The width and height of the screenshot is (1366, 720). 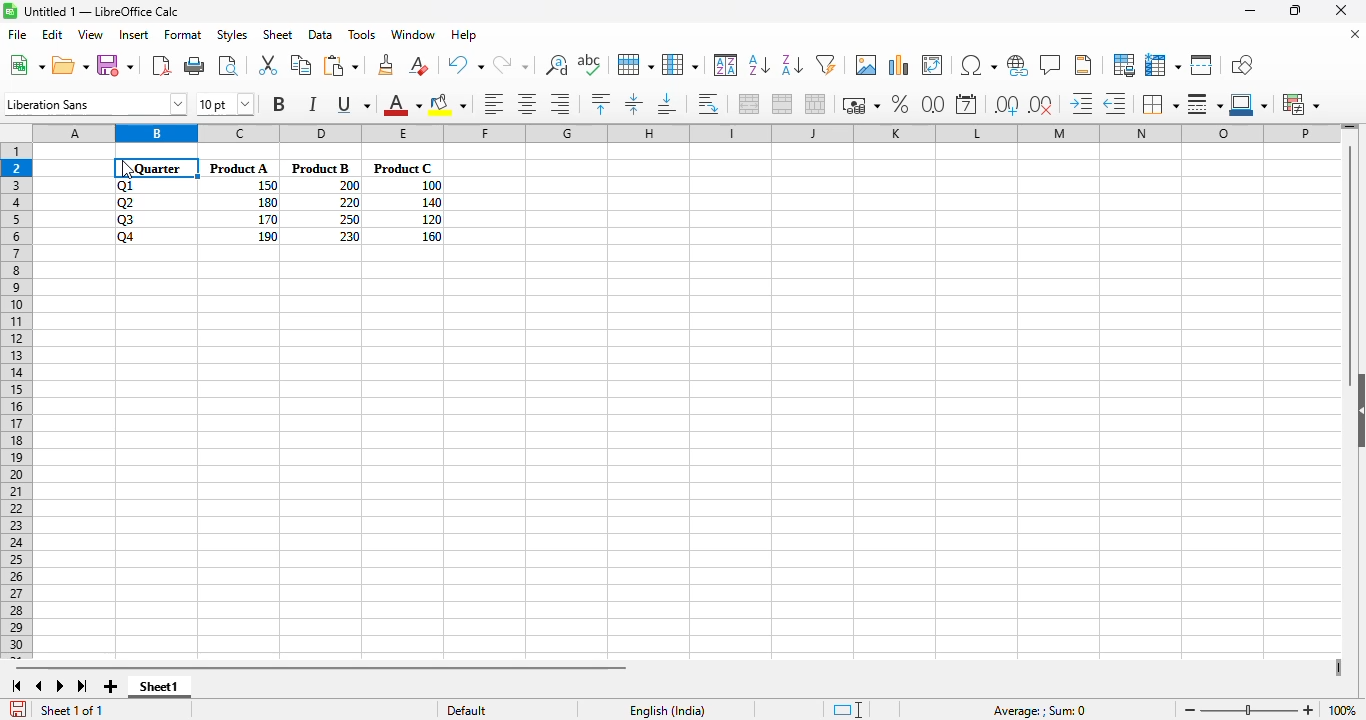 I want to click on italic, so click(x=312, y=104).